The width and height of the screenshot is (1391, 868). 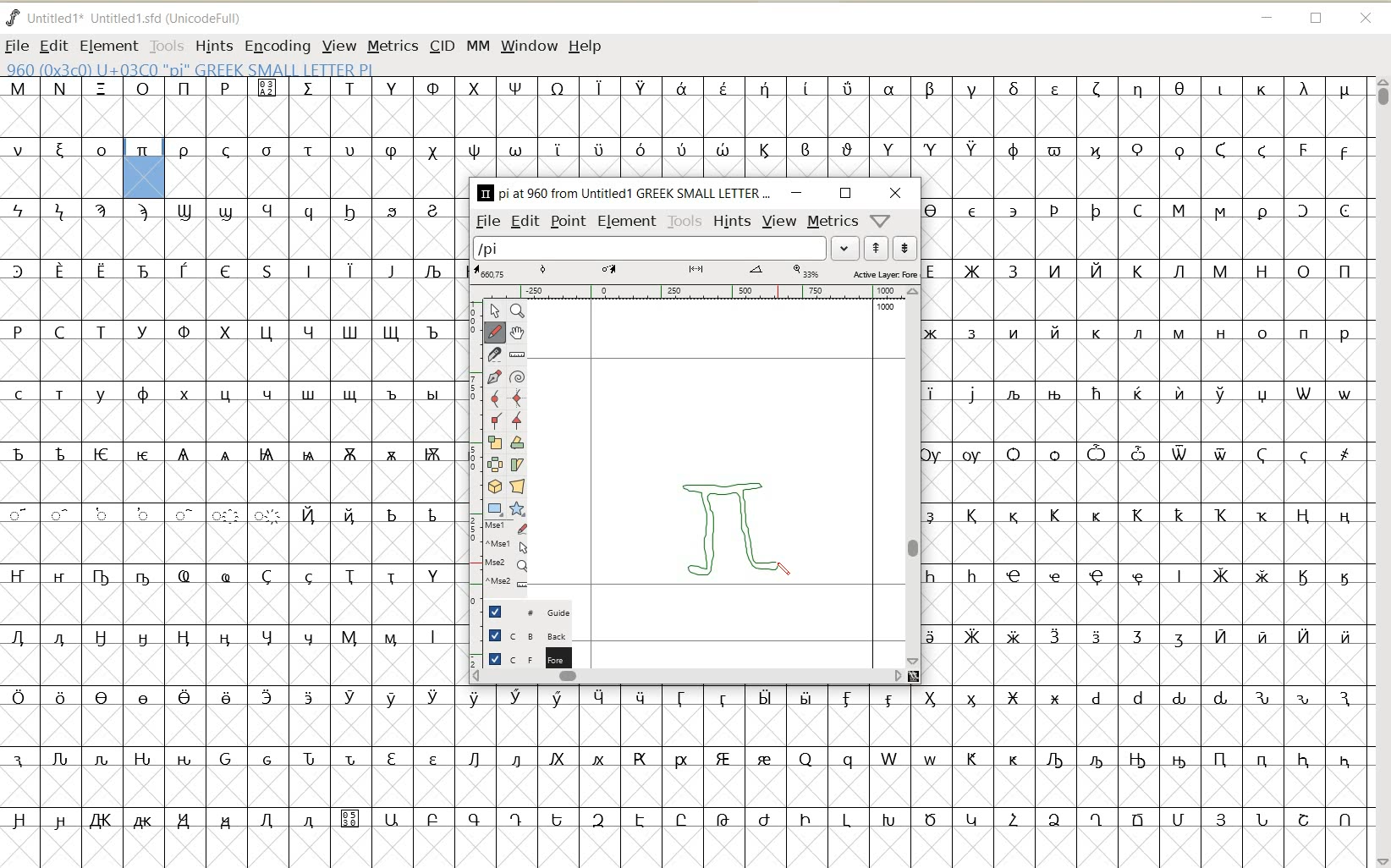 I want to click on Rotate the selection, so click(x=518, y=442).